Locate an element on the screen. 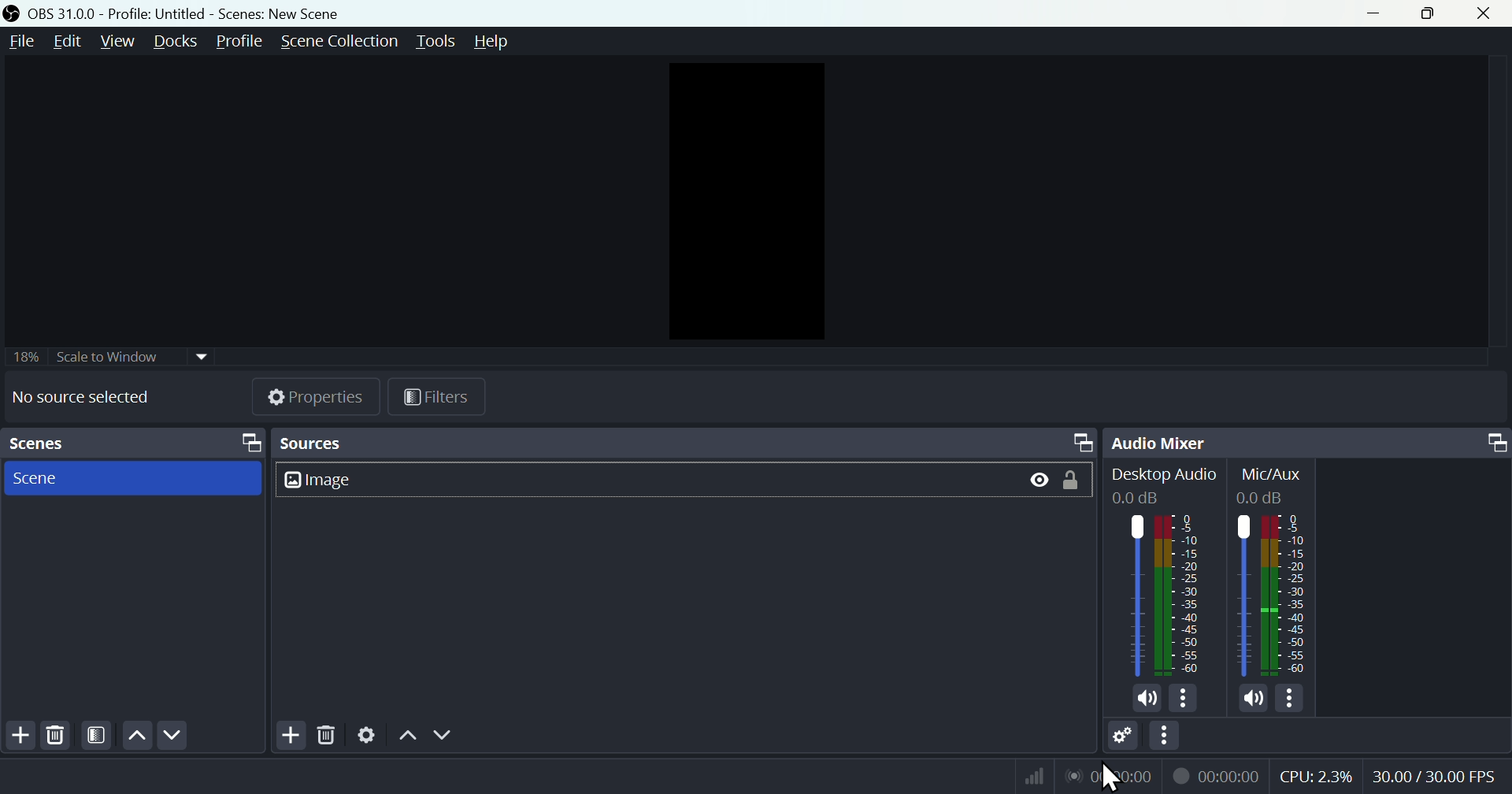 This screenshot has width=1512, height=794. Scenes is located at coordinates (131, 443).